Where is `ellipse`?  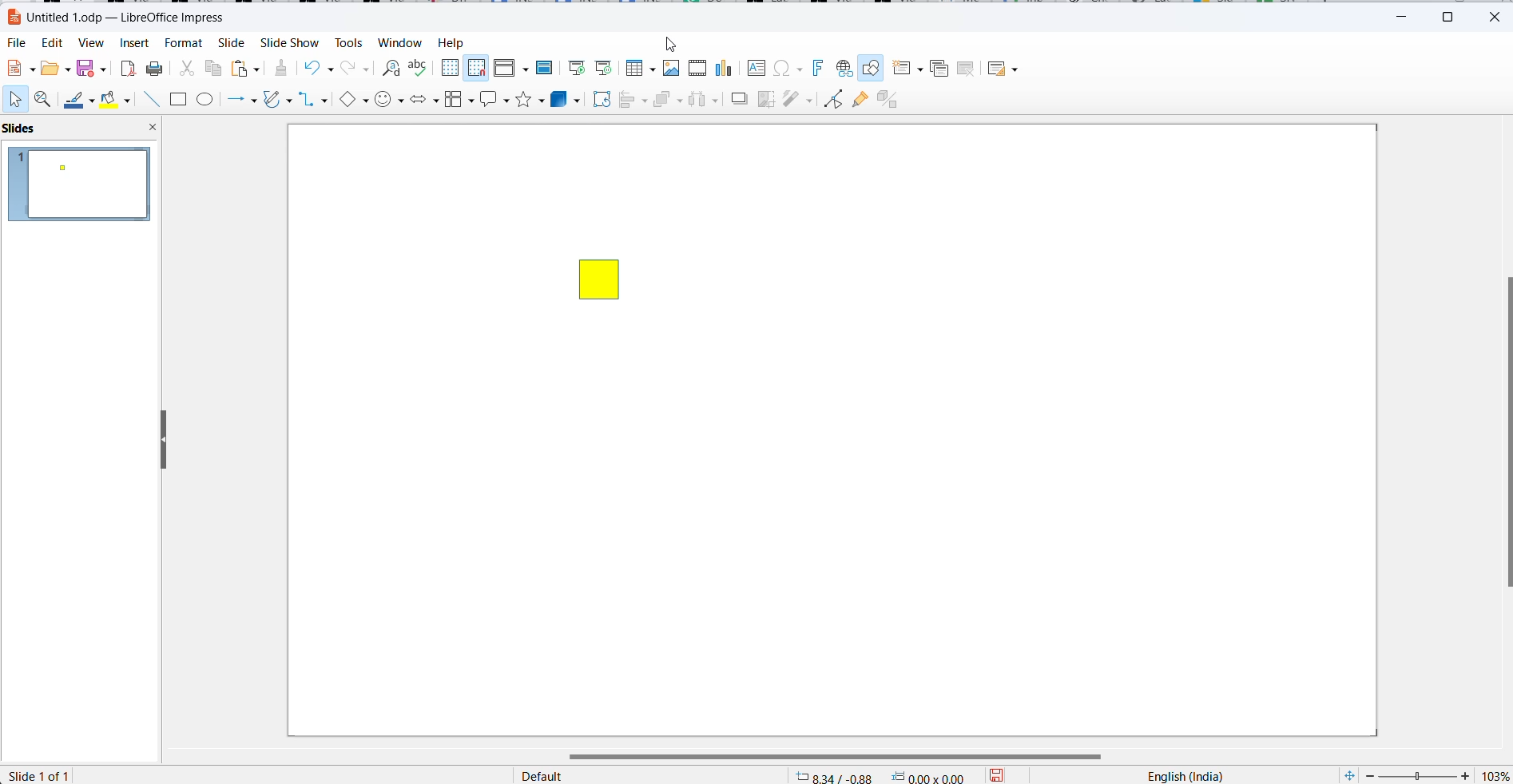
ellipse is located at coordinates (208, 101).